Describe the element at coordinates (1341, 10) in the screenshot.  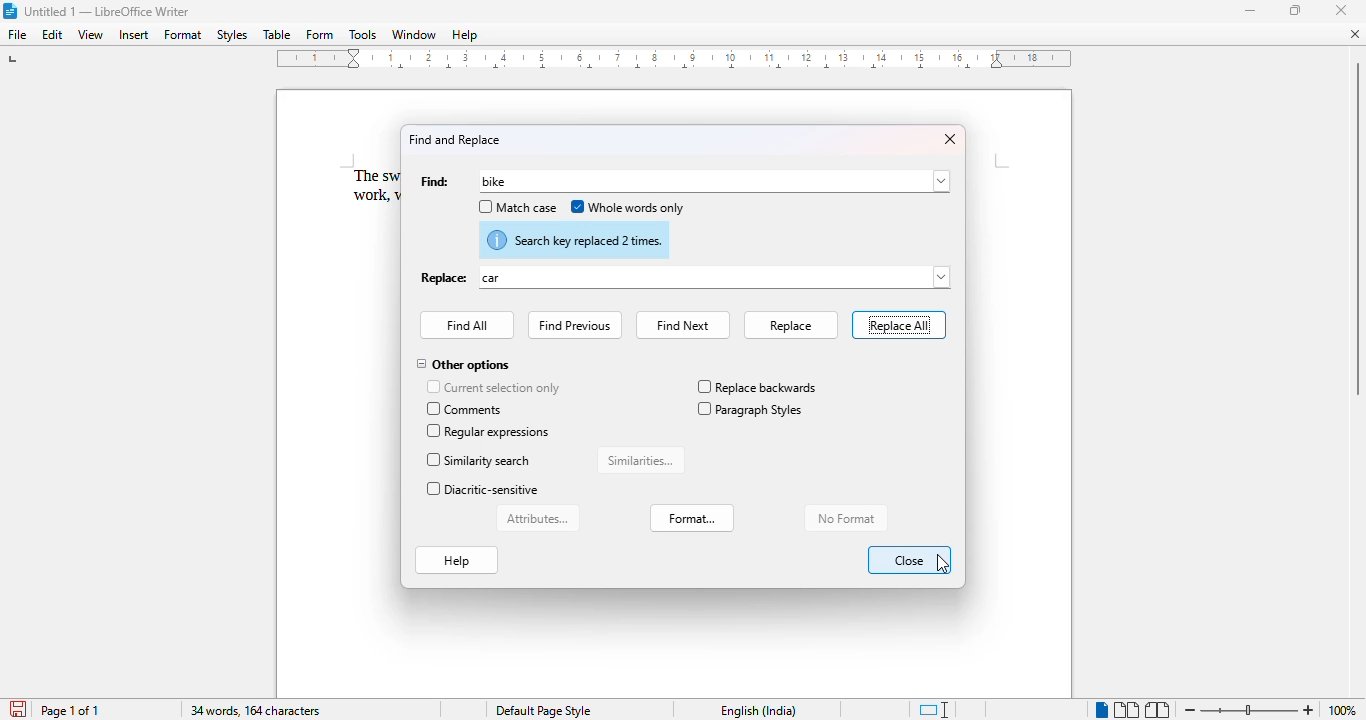
I see `close` at that location.